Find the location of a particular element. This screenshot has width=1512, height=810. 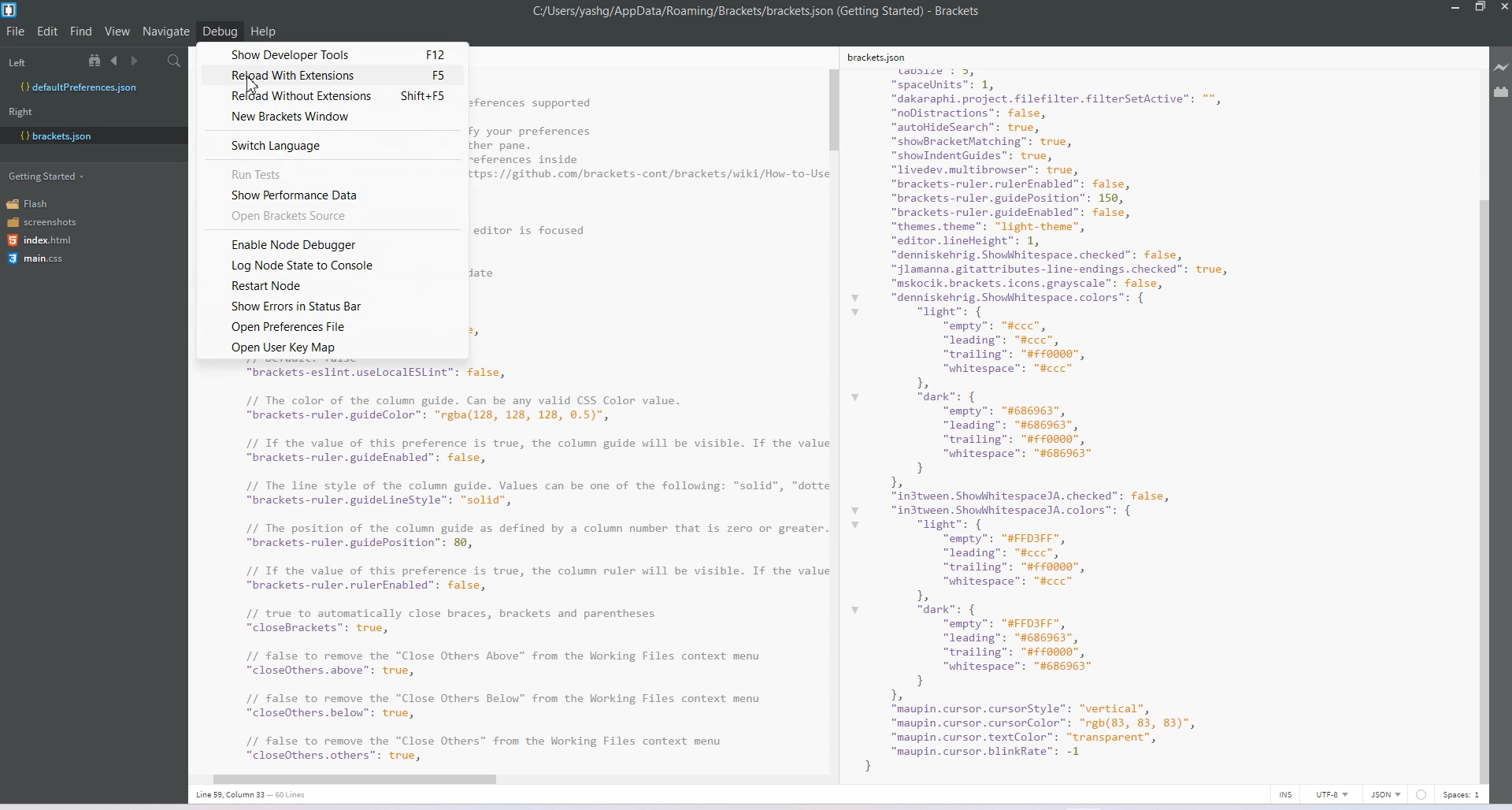

Open Brackets Source is located at coordinates (334, 216).